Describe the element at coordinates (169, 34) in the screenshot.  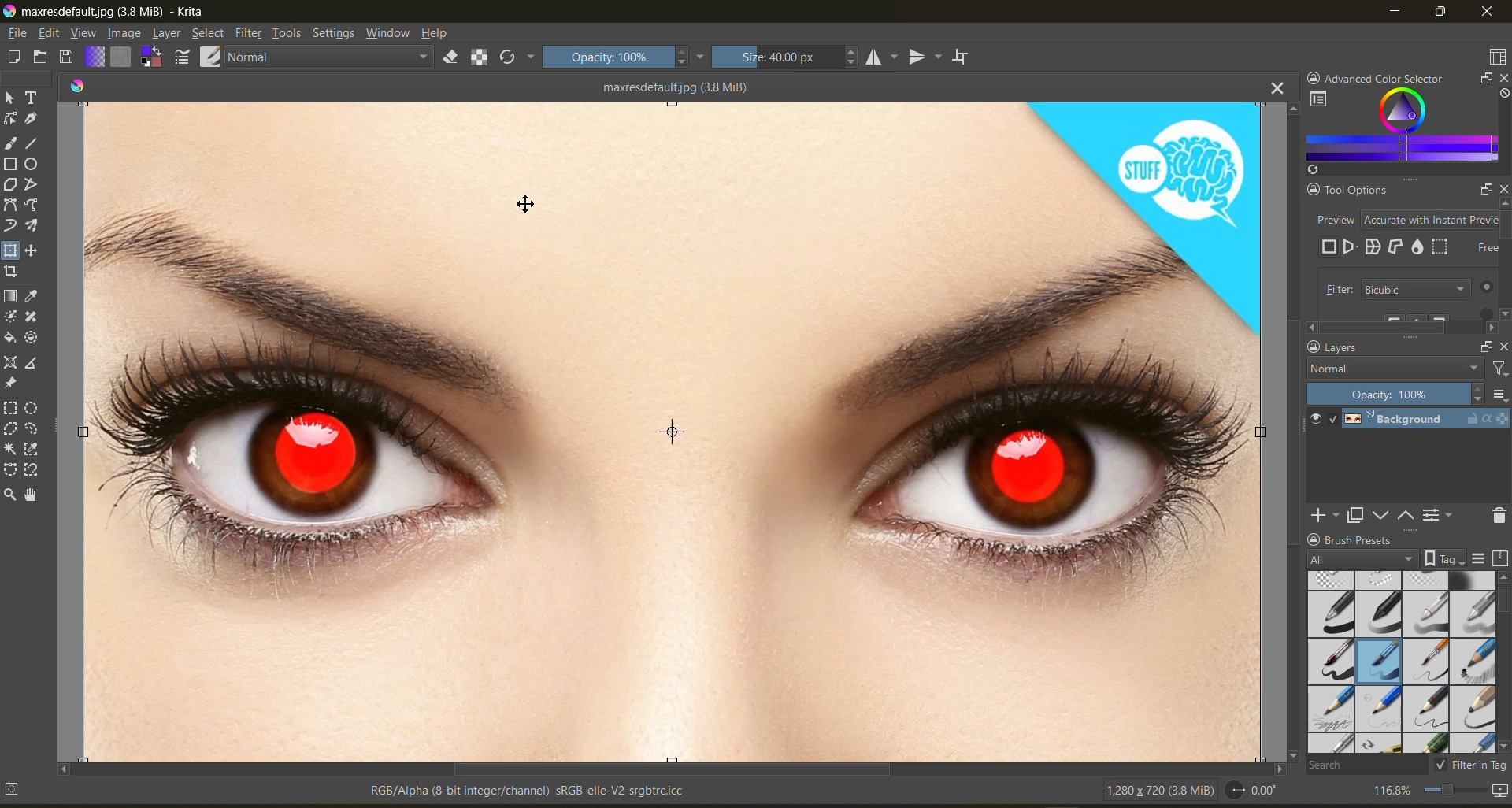
I see `layer` at that location.